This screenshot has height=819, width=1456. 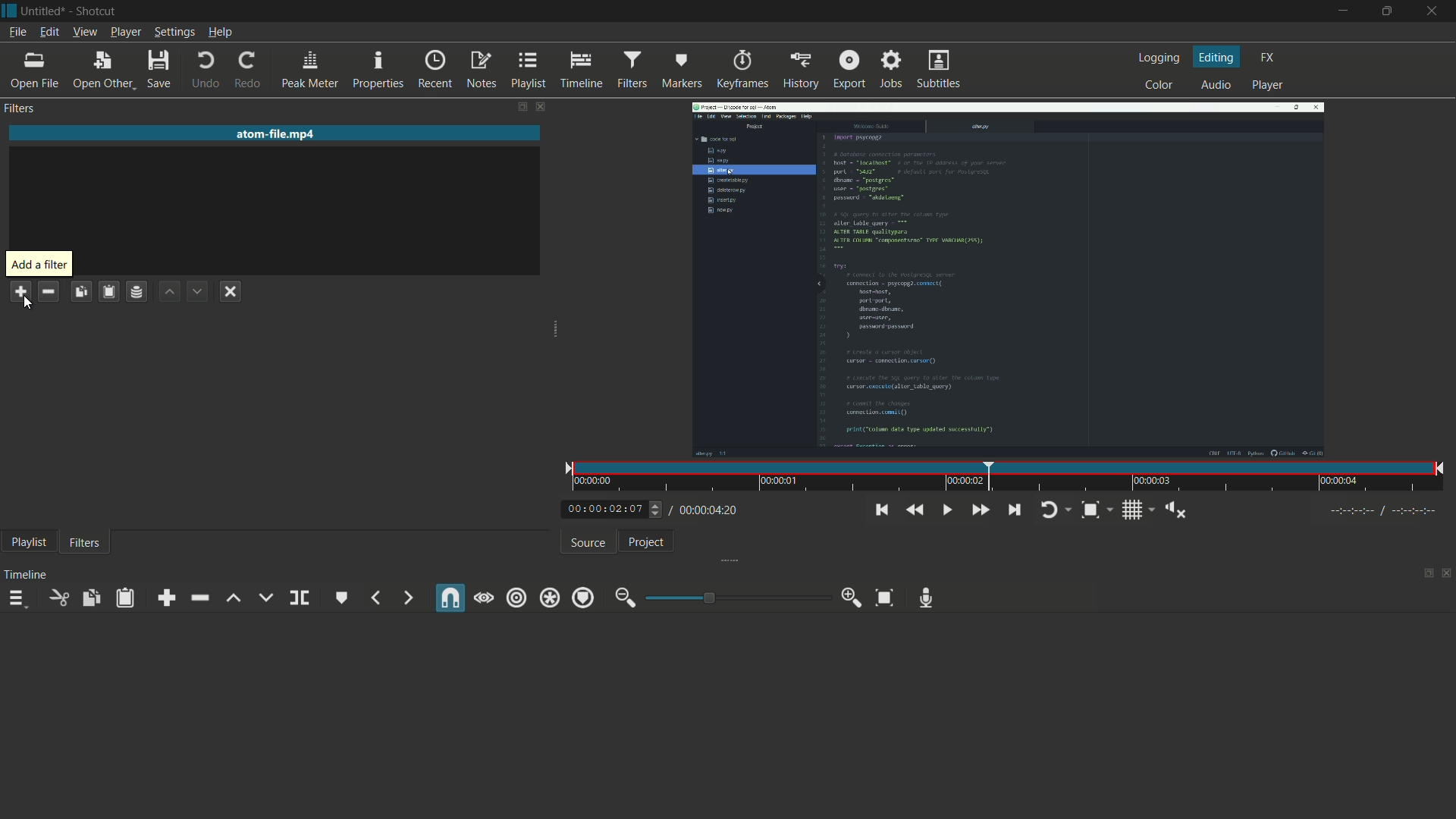 What do you see at coordinates (802, 71) in the screenshot?
I see `history` at bounding box center [802, 71].